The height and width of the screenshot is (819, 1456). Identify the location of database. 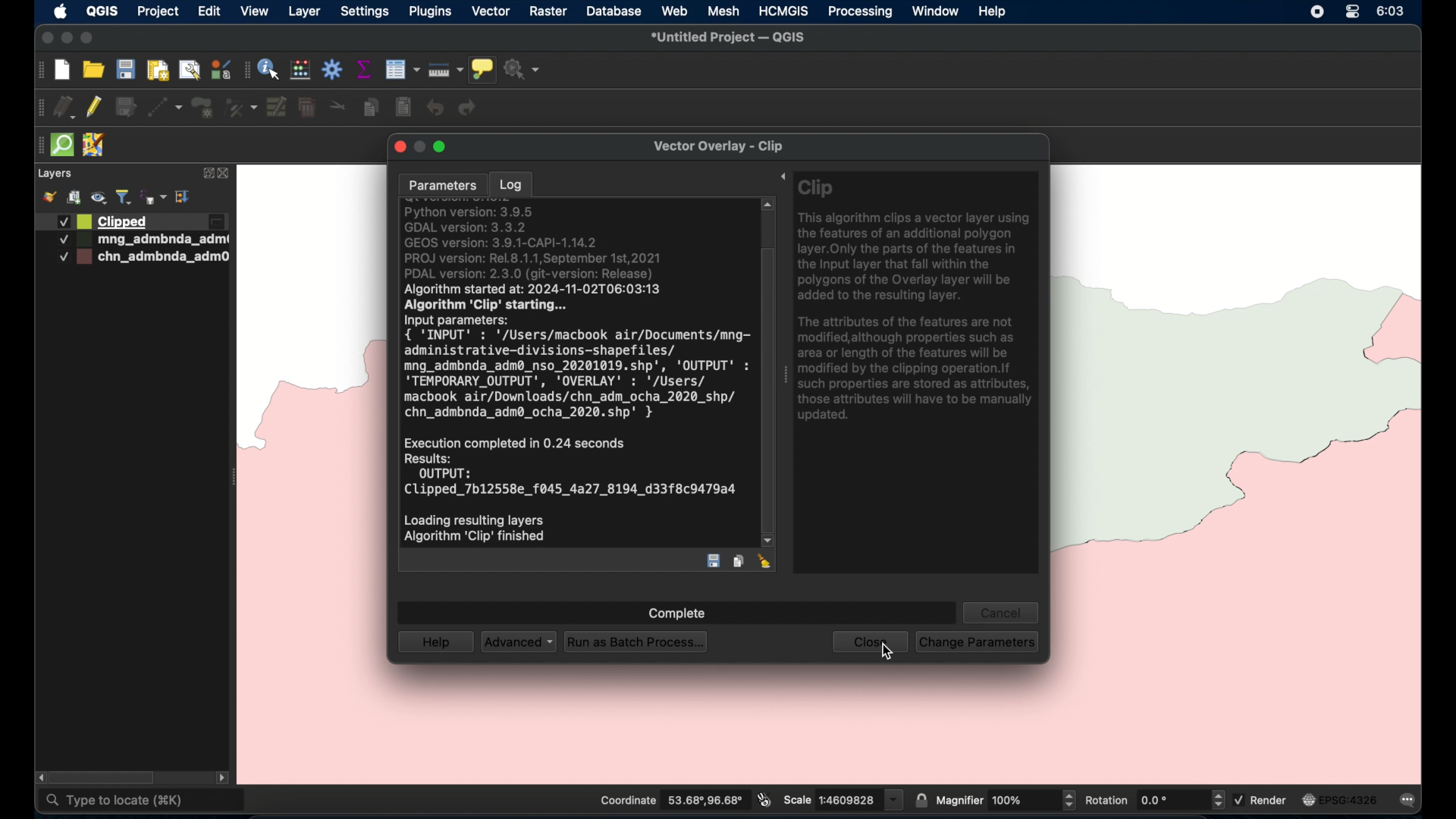
(612, 13).